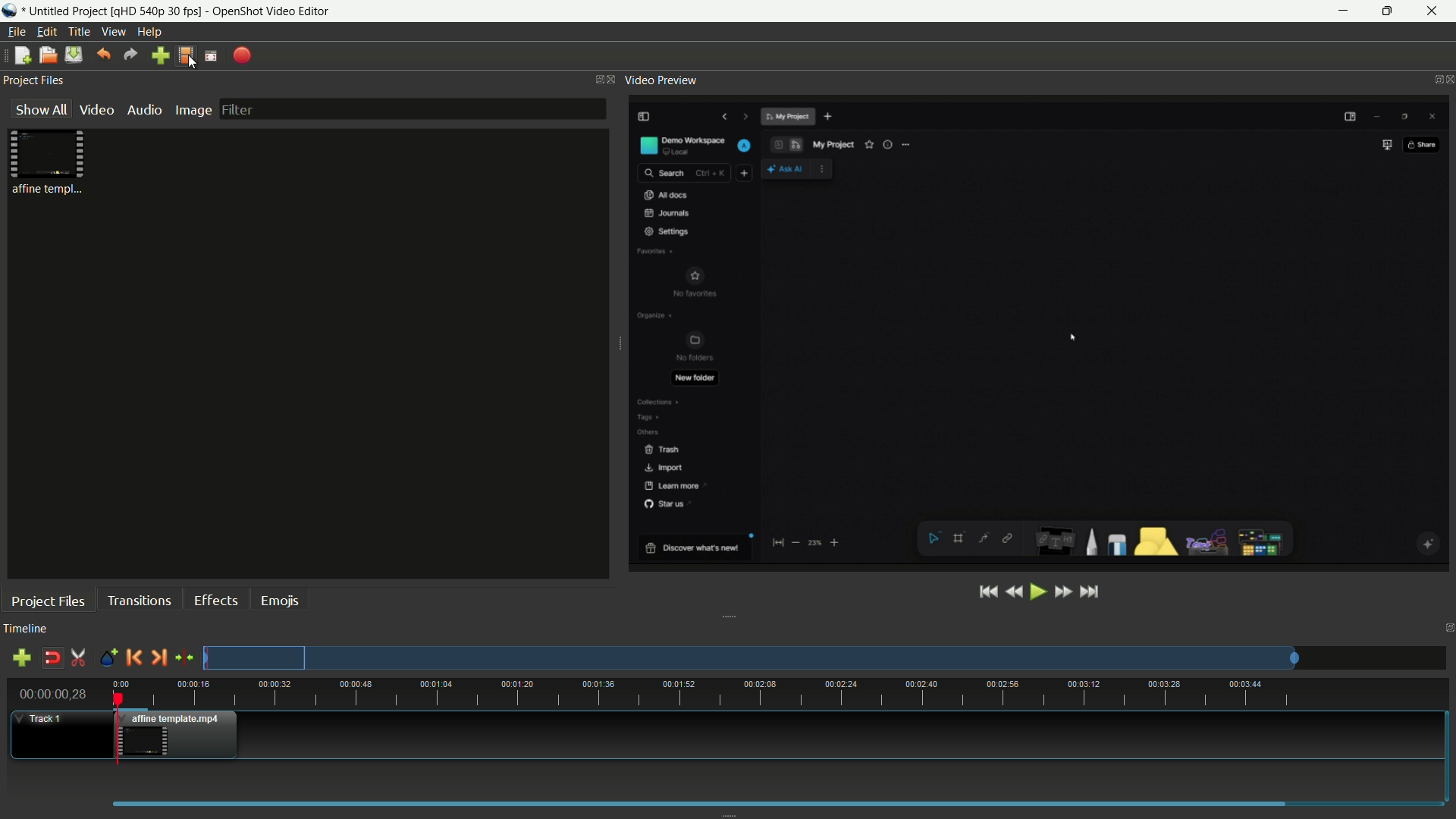 Image resolution: width=1456 pixels, height=819 pixels. I want to click on rewind, so click(1014, 593).